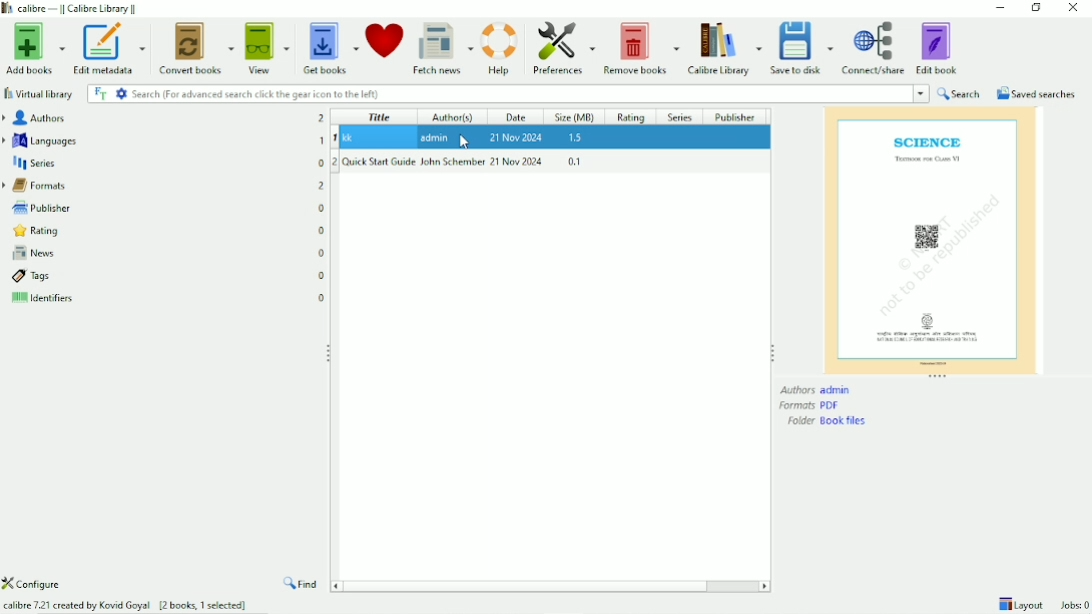  Describe the element at coordinates (632, 117) in the screenshot. I see `Rating` at that location.